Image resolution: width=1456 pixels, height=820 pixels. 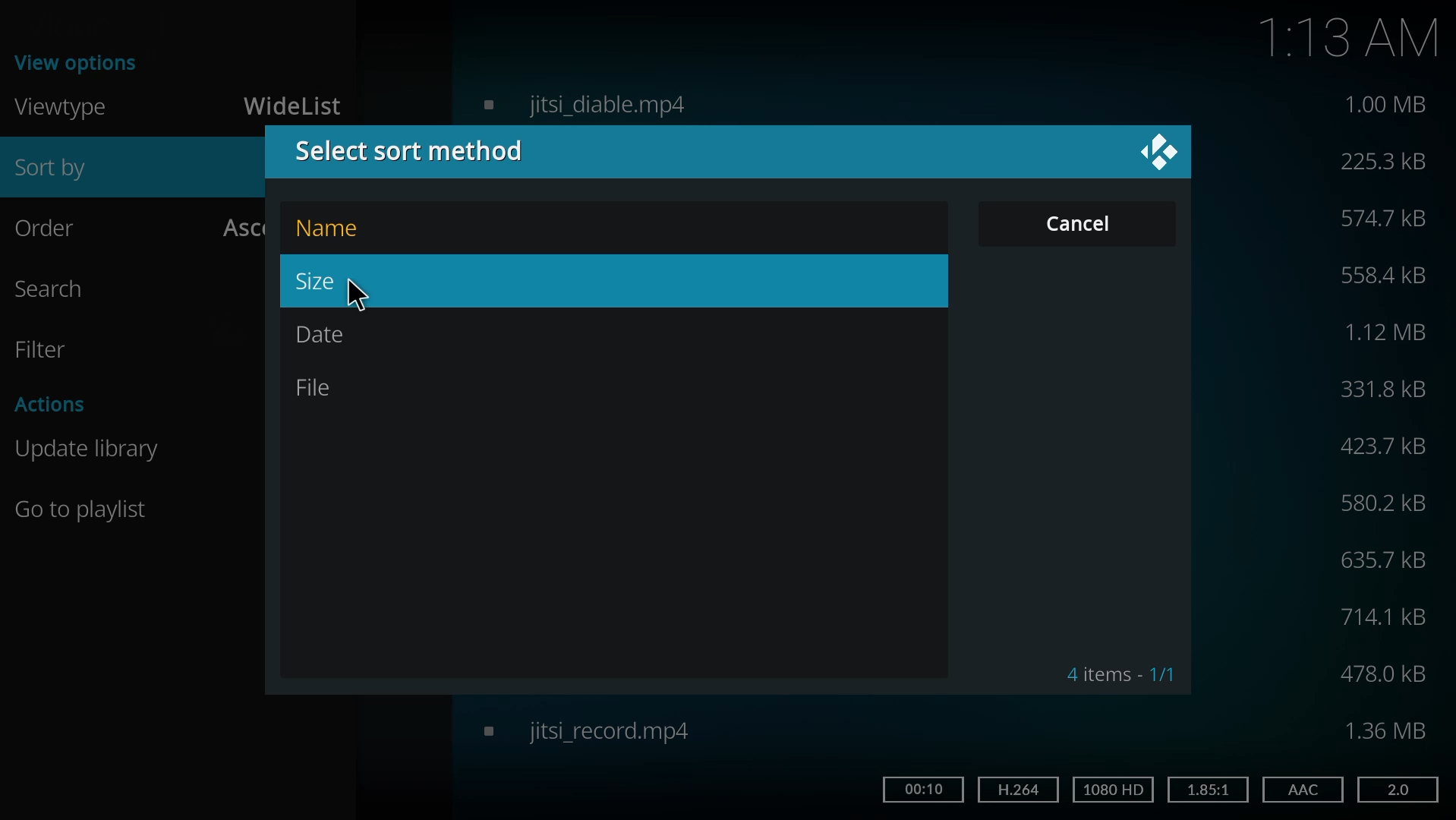 What do you see at coordinates (1380, 557) in the screenshot?
I see `size` at bounding box center [1380, 557].